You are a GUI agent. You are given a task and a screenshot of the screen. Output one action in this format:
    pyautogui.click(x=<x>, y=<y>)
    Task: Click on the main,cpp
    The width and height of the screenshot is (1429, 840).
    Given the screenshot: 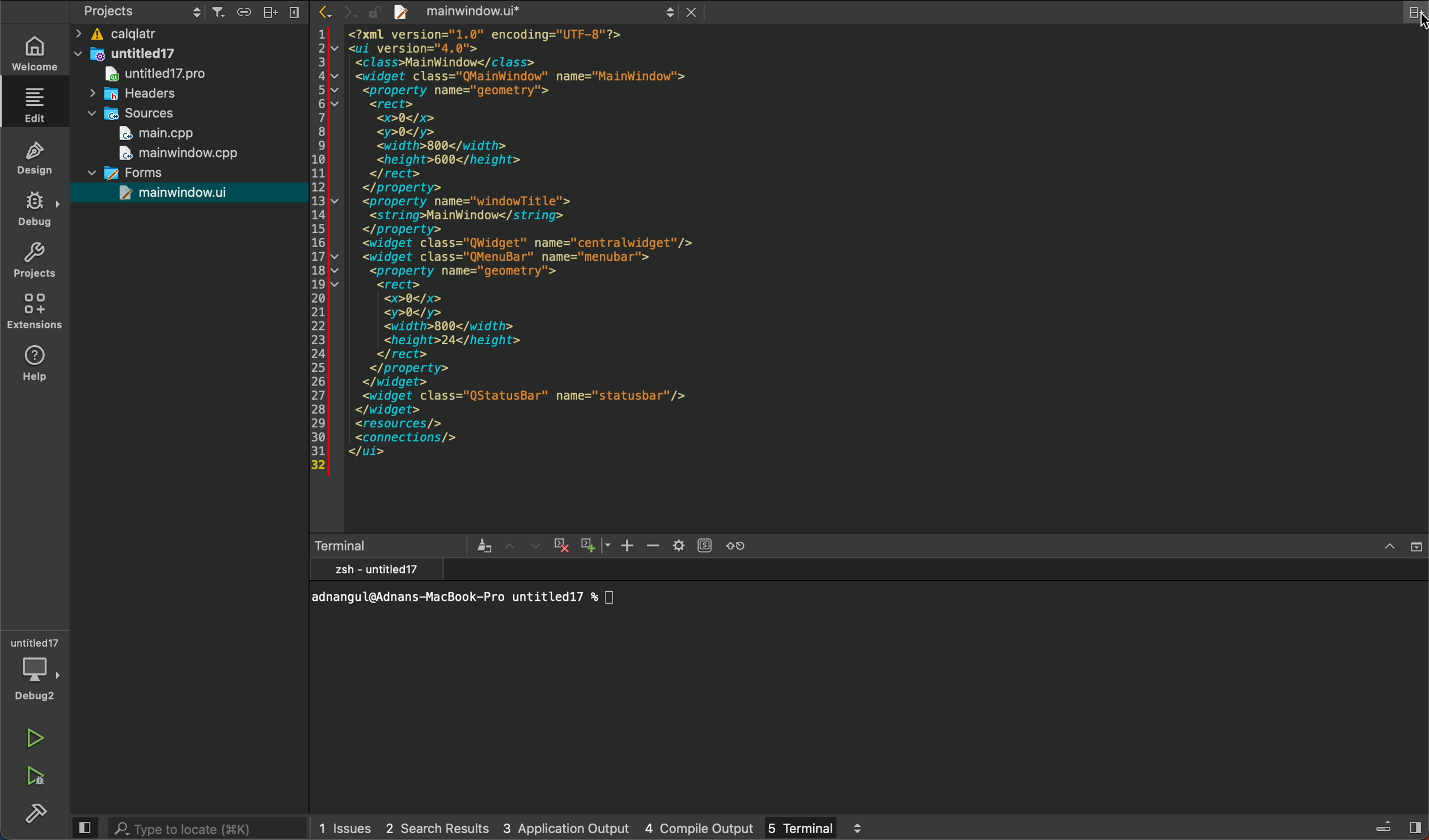 What is the action you would take?
    pyautogui.click(x=164, y=134)
    